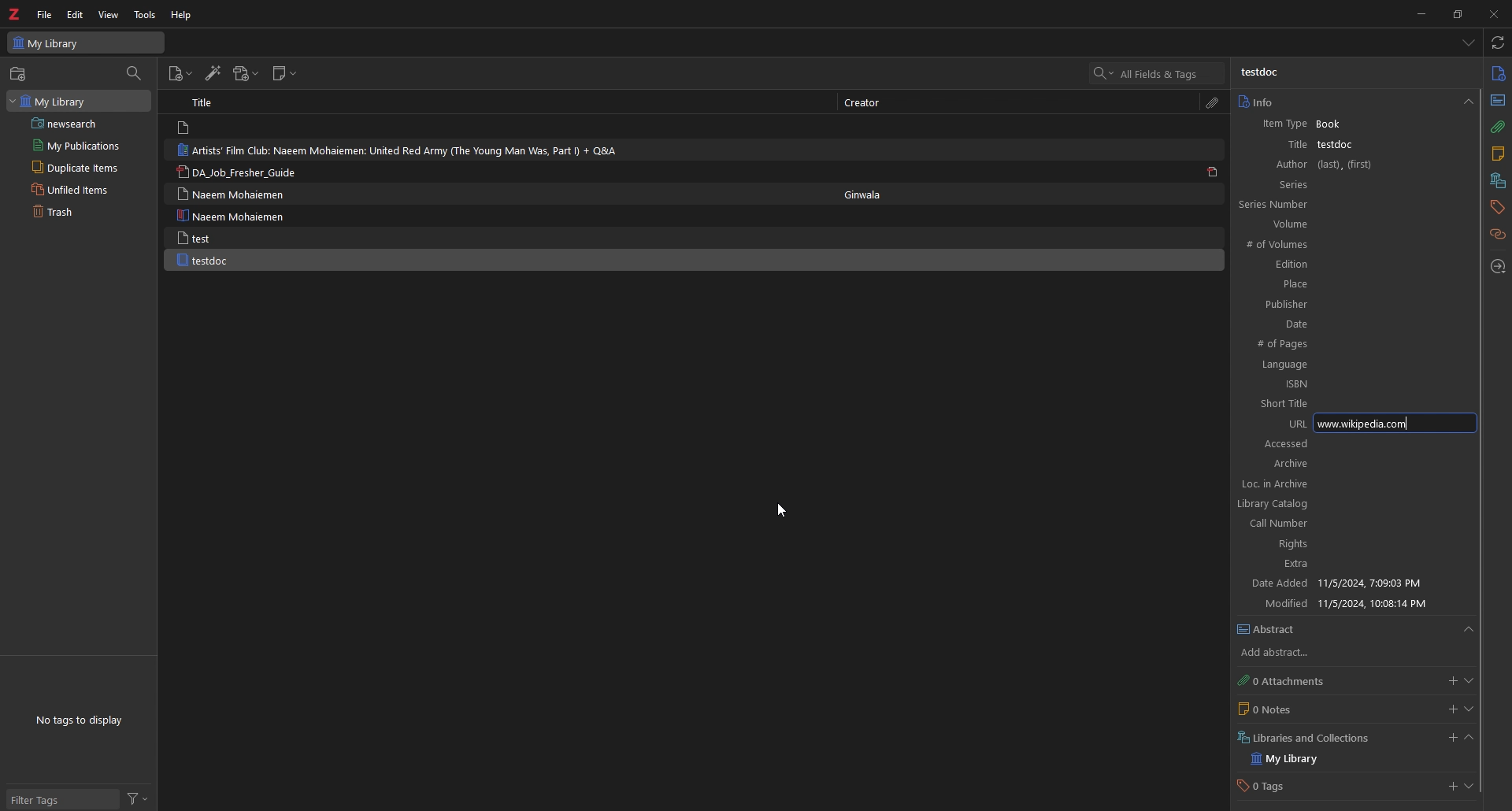 The image size is (1512, 811). What do you see at coordinates (1420, 13) in the screenshot?
I see `minimize` at bounding box center [1420, 13].